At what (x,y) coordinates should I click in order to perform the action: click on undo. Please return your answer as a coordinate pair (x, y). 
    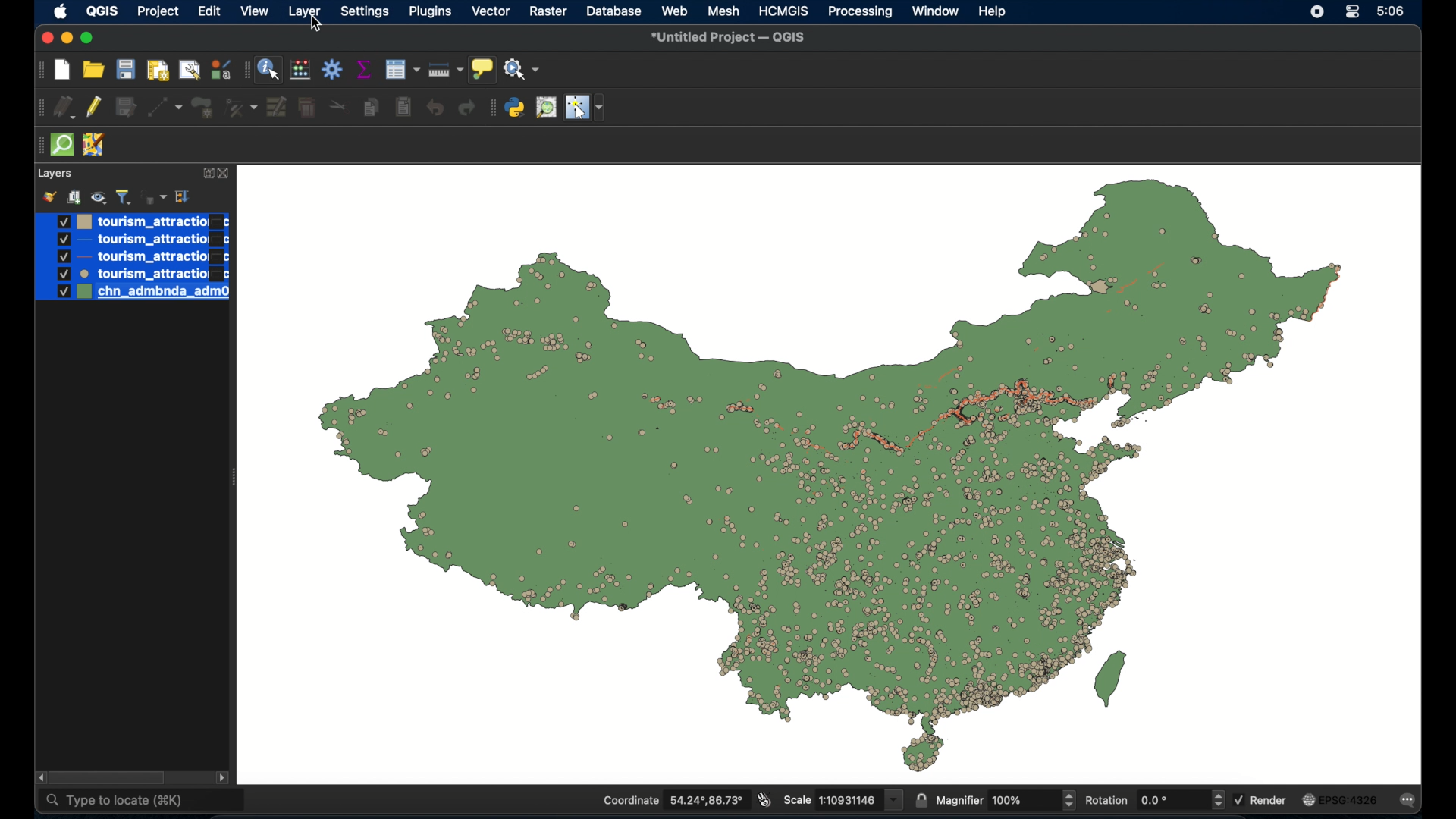
    Looking at the image, I should click on (435, 108).